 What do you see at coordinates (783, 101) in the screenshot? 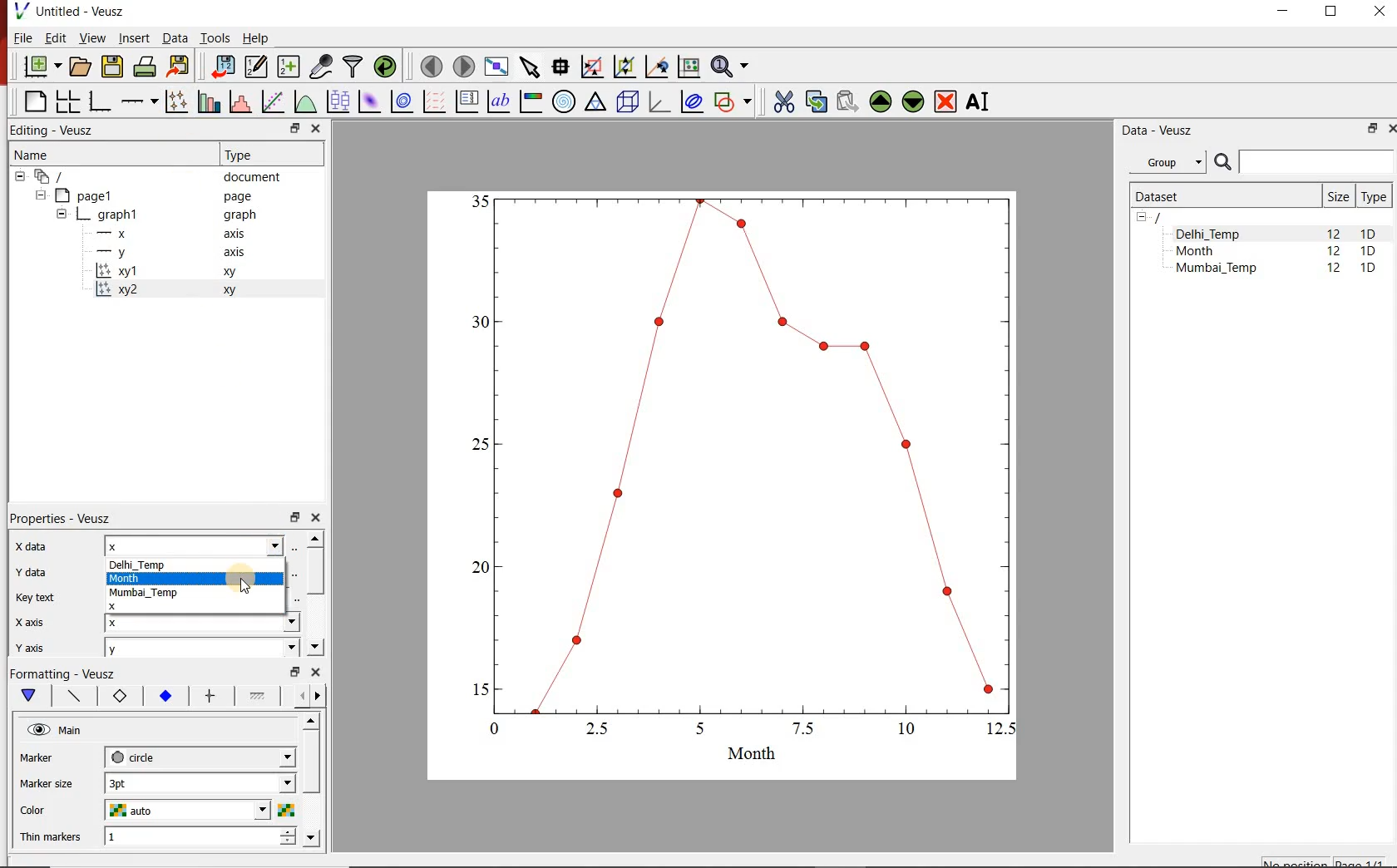
I see `cut the selected widget` at bounding box center [783, 101].